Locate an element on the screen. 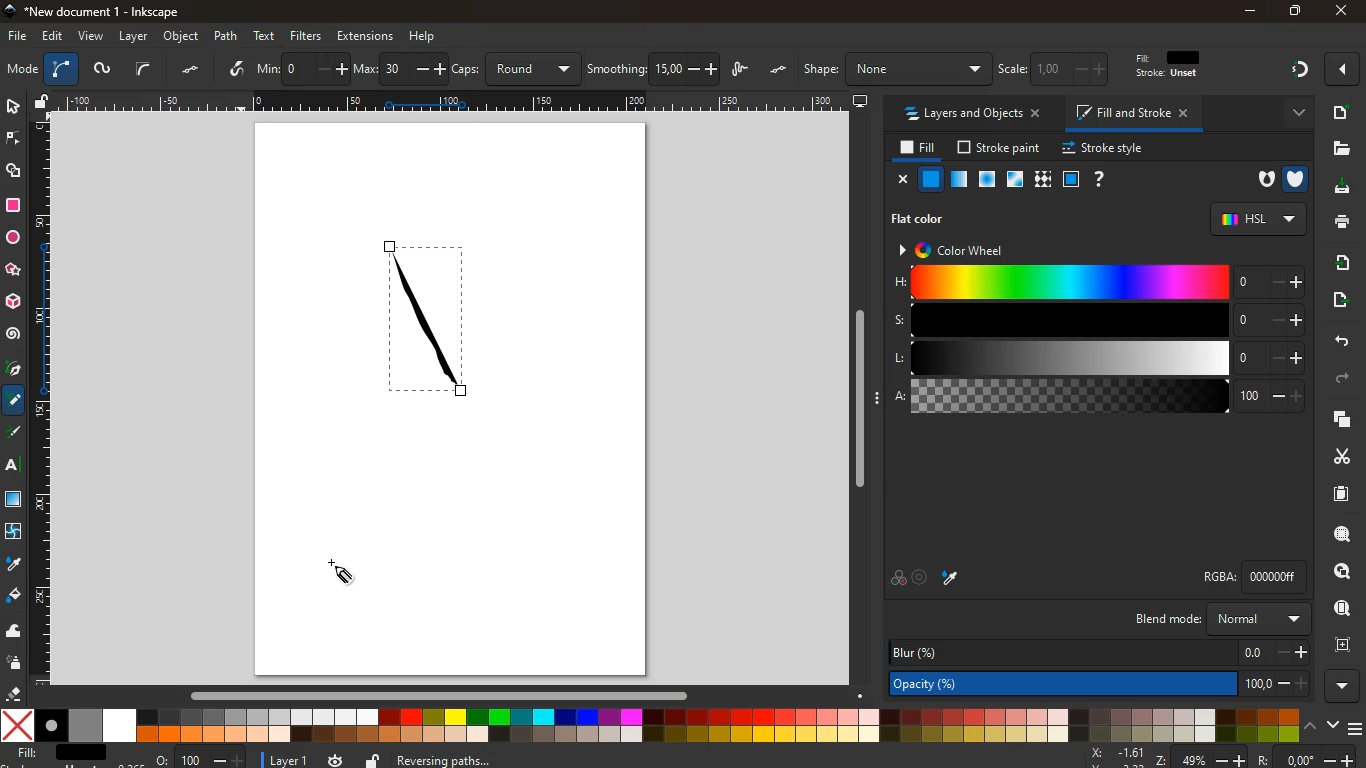  opacity is located at coordinates (988, 180).